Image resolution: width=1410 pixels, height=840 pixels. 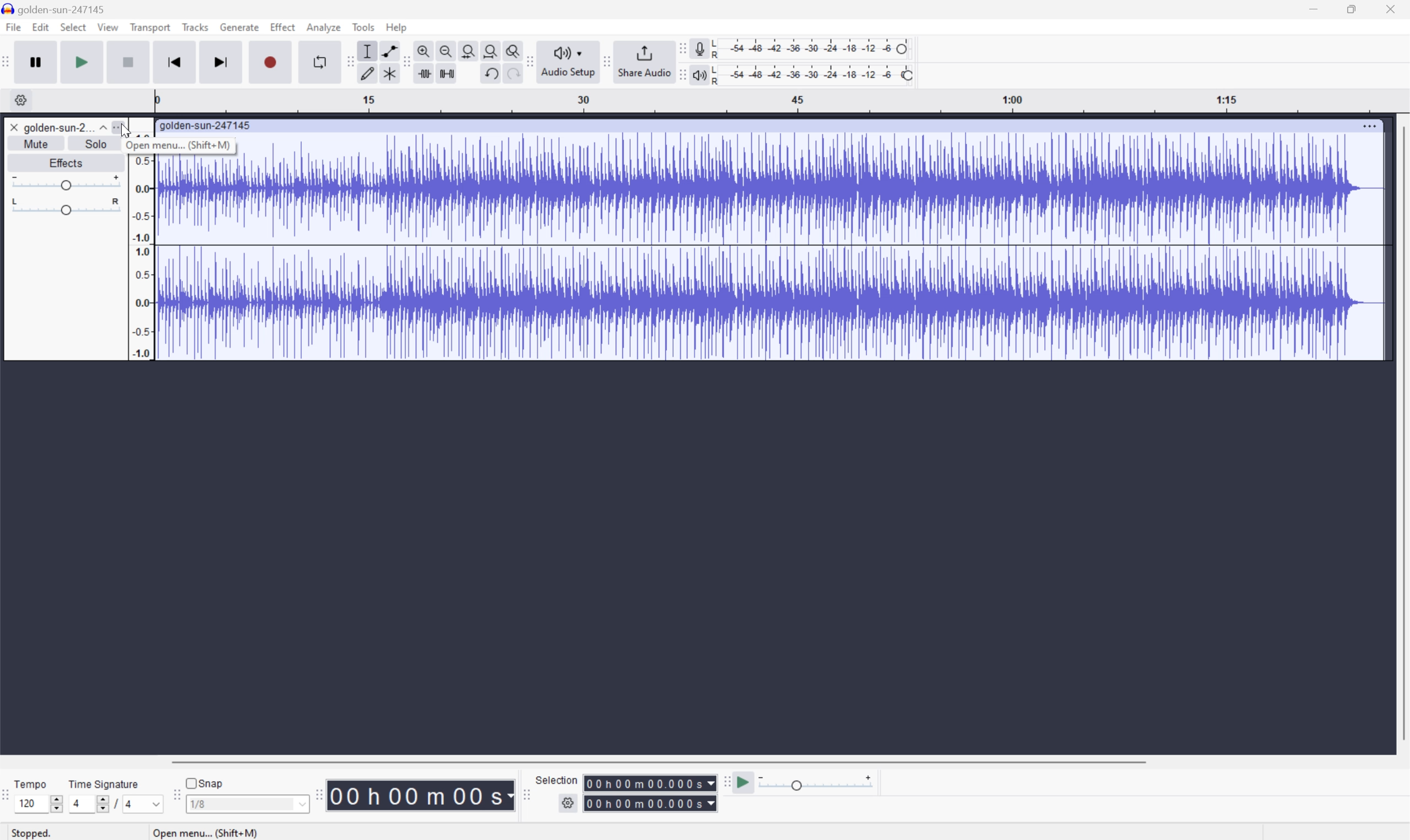 What do you see at coordinates (318, 60) in the screenshot?
I see `Enable looping` at bounding box center [318, 60].